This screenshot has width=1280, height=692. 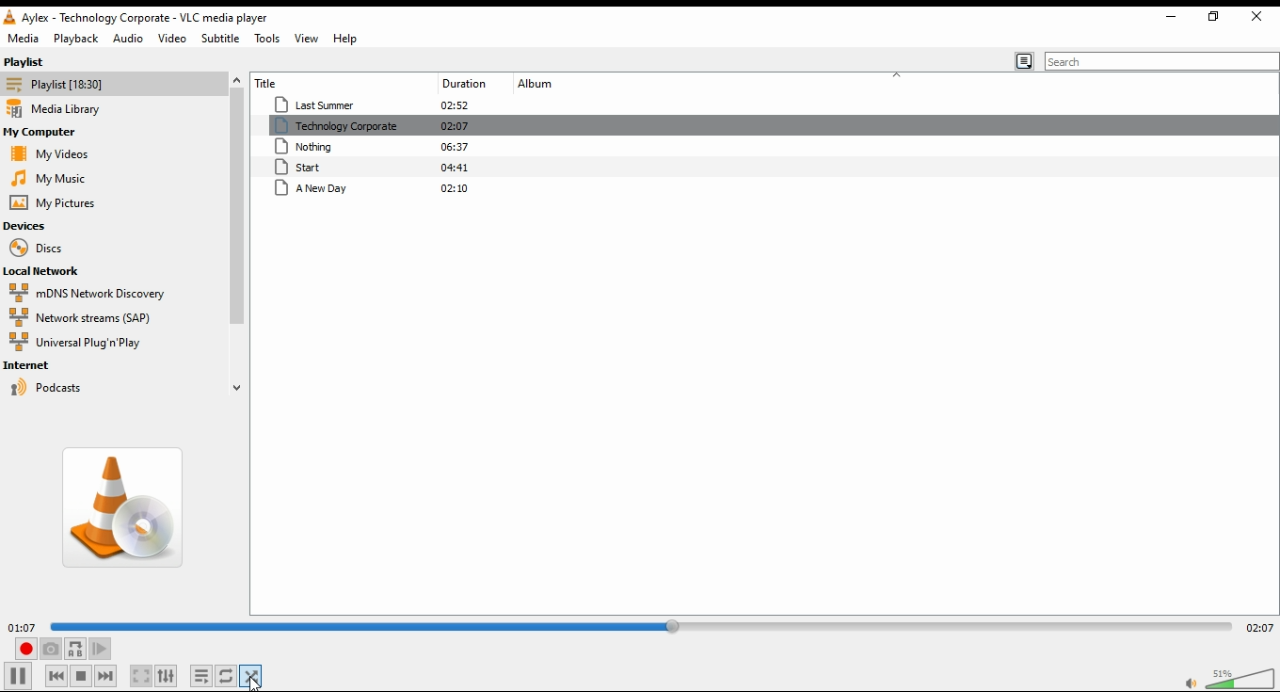 What do you see at coordinates (236, 234) in the screenshot?
I see `scroll bar` at bounding box center [236, 234].